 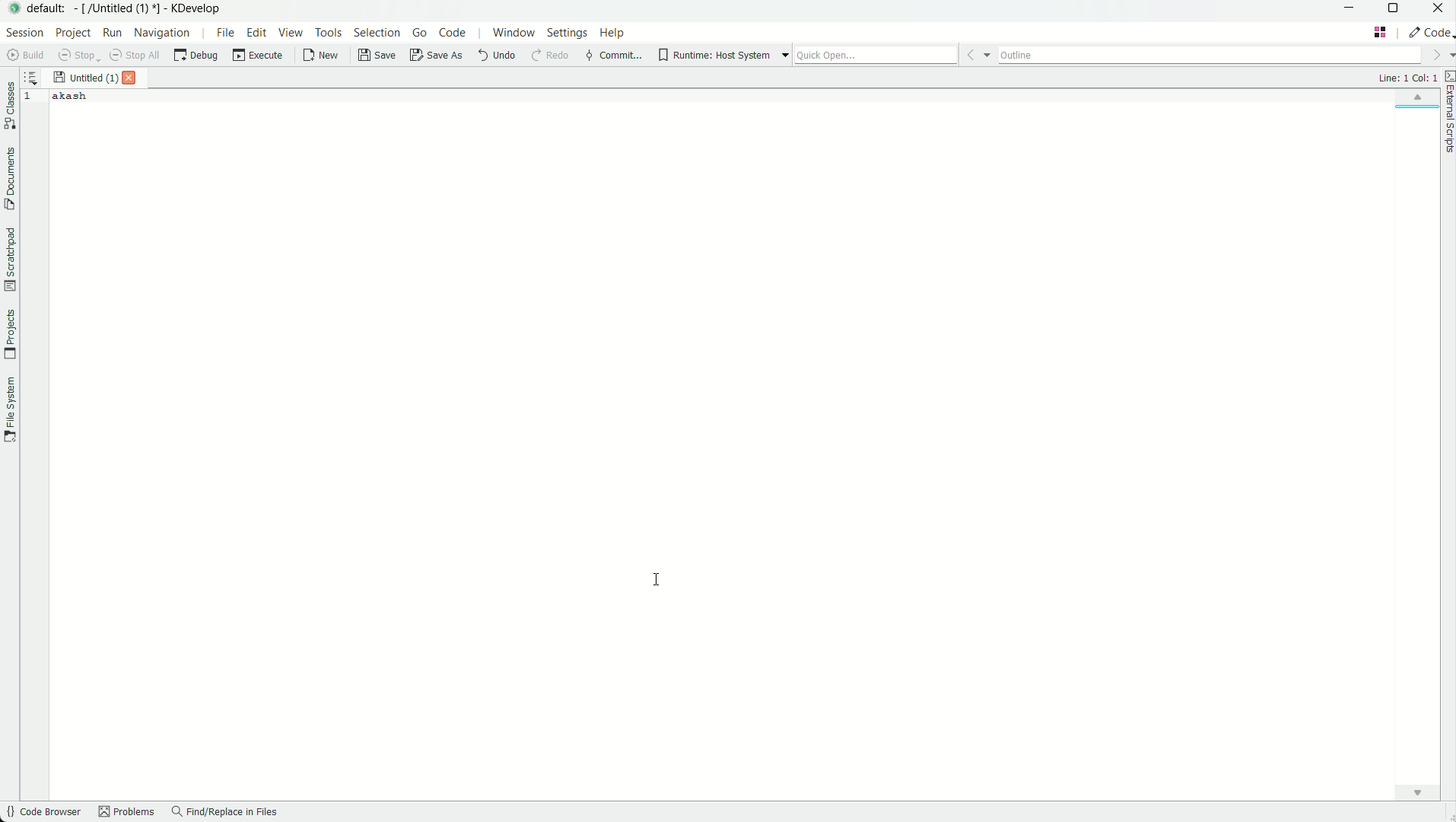 I want to click on project menu, so click(x=72, y=33).